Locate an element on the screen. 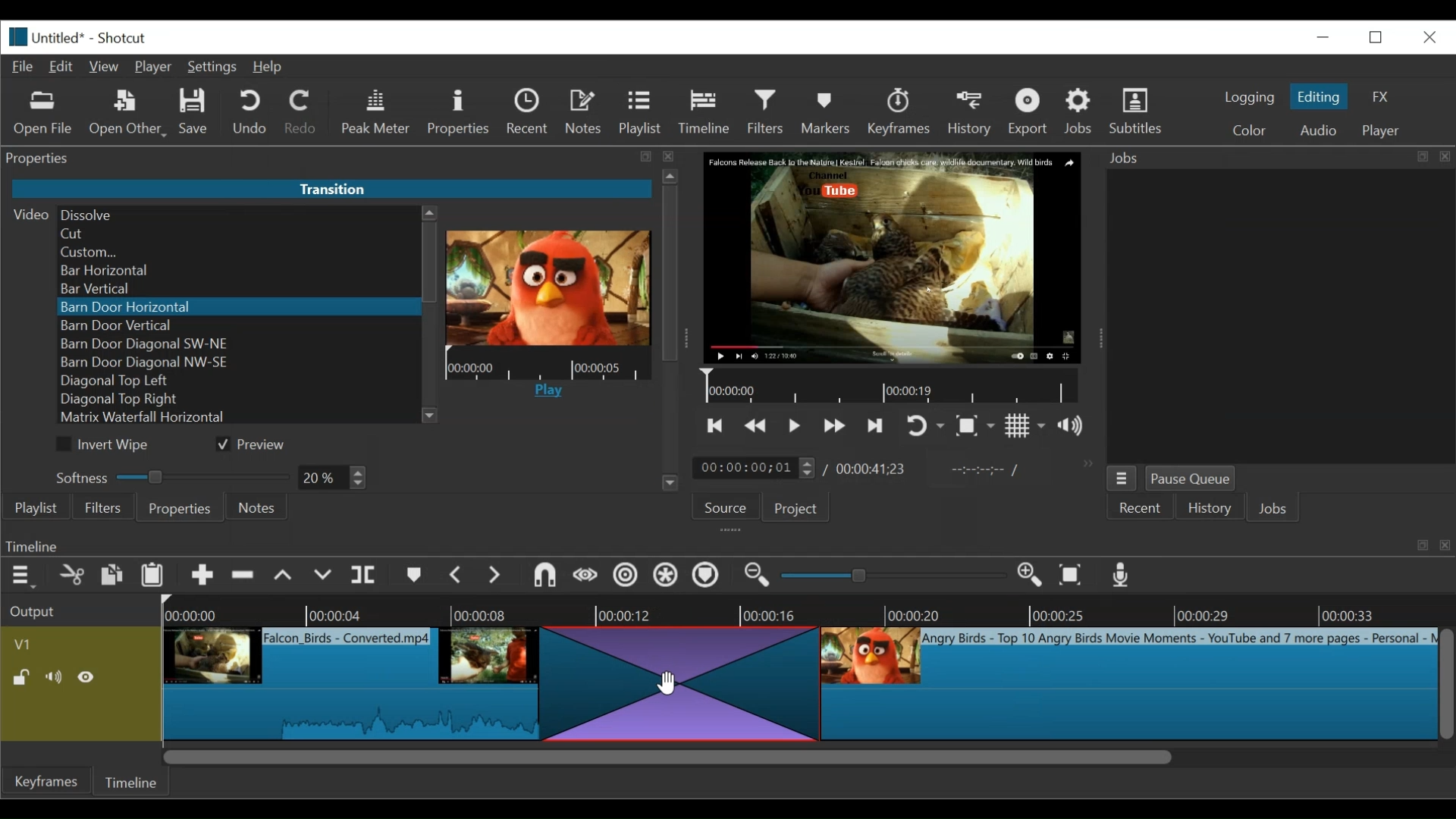  Export is located at coordinates (1031, 112).